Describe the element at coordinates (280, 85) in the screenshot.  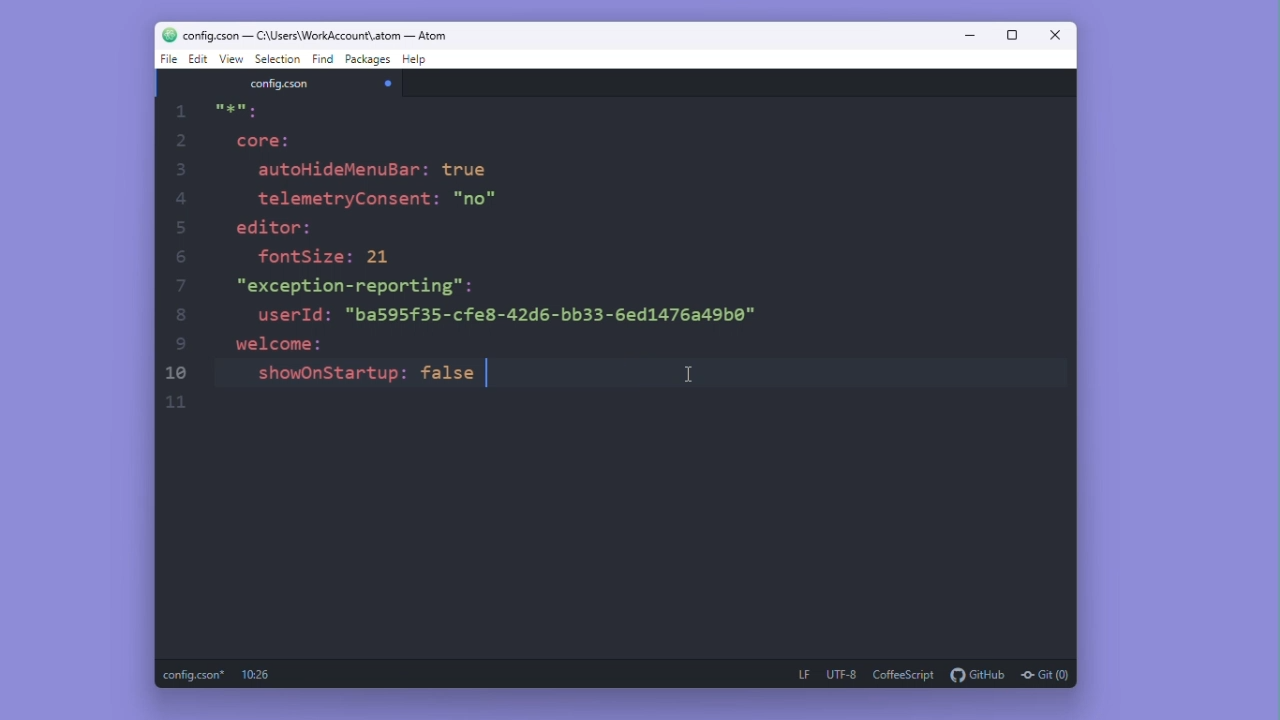
I see `config.cson` at that location.